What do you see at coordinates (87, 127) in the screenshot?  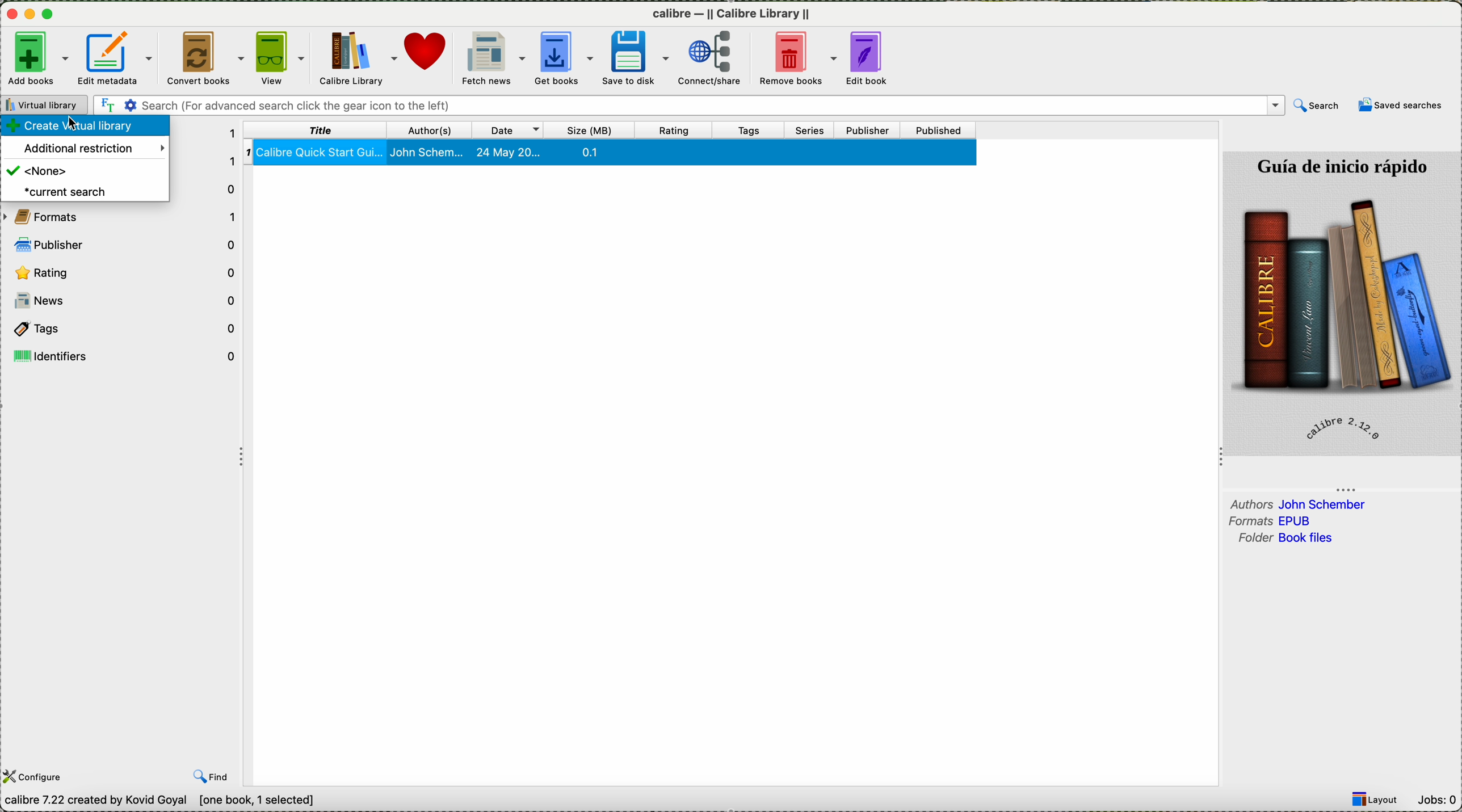 I see `click on create virtual library` at bounding box center [87, 127].